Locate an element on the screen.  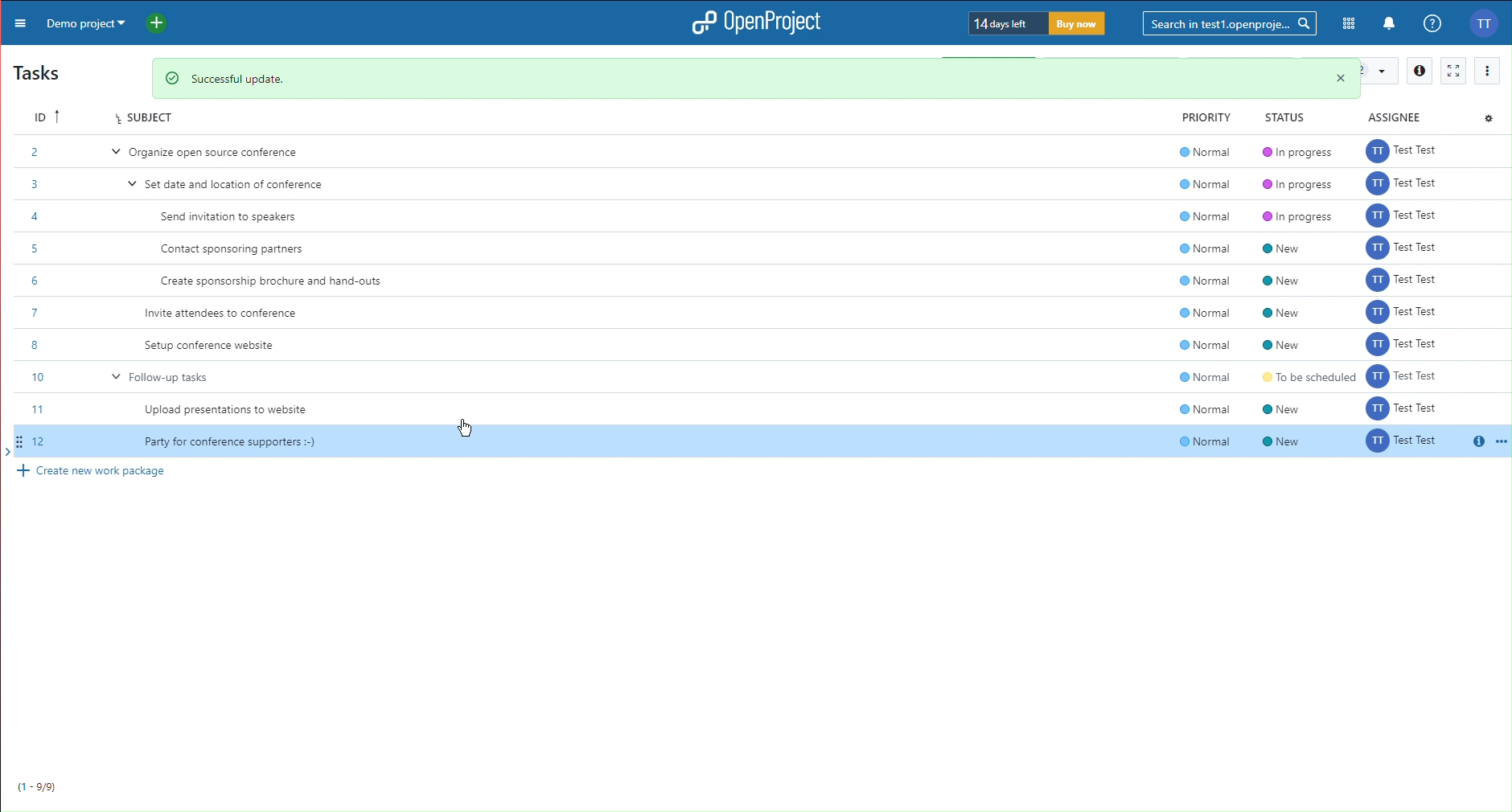
New Project is located at coordinates (162, 21).